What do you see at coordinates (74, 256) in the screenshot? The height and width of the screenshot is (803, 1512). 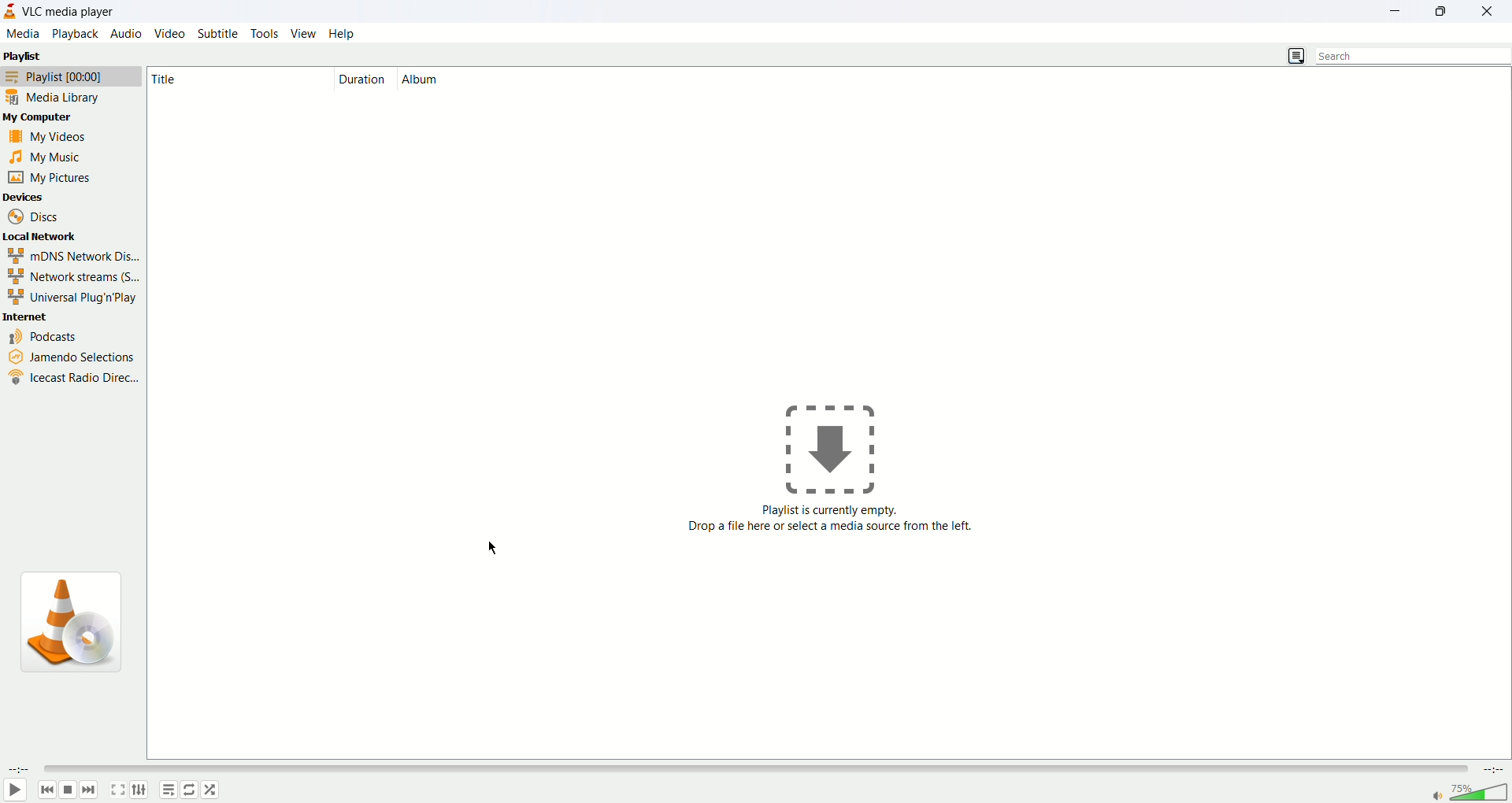 I see `mDNS Network` at bounding box center [74, 256].